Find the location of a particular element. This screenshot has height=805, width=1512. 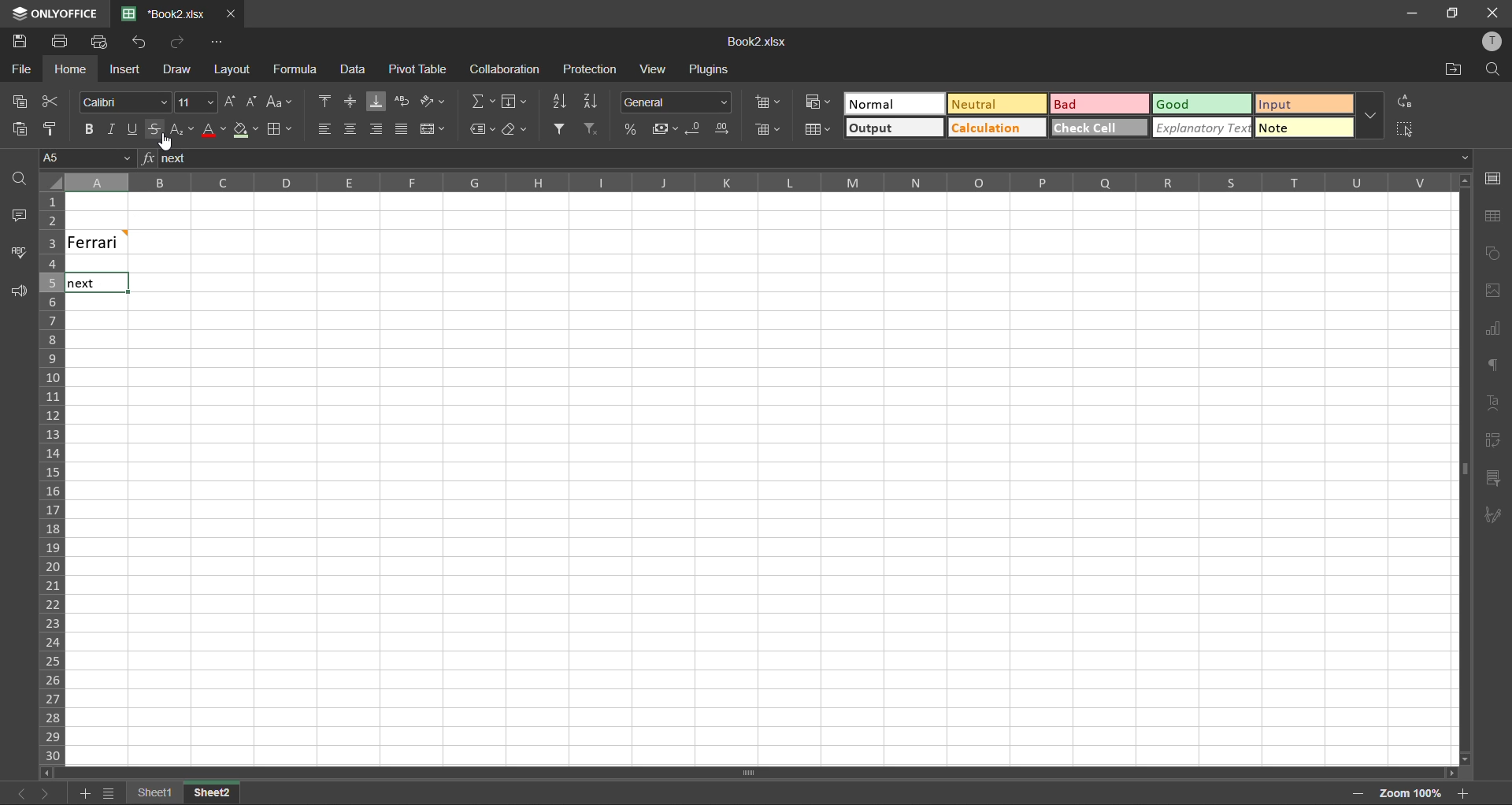

paragraph is located at coordinates (1497, 366).